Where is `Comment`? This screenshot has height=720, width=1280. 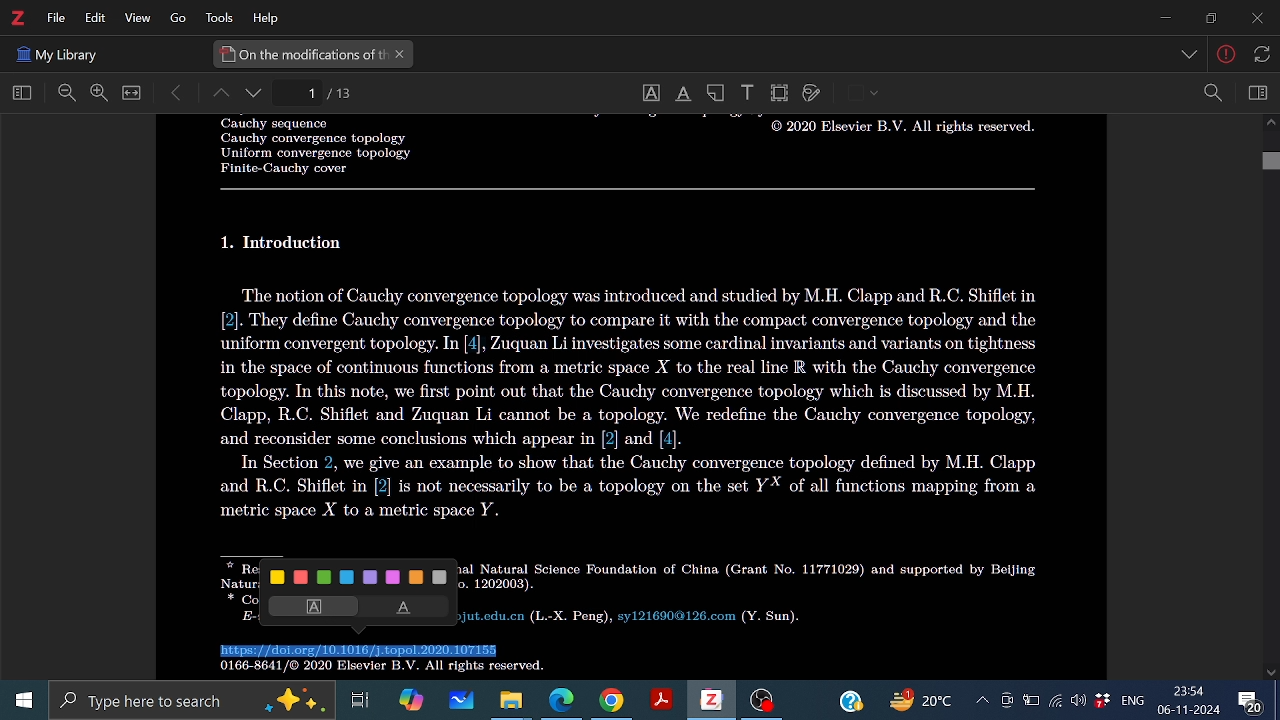
Comment is located at coordinates (1257, 699).